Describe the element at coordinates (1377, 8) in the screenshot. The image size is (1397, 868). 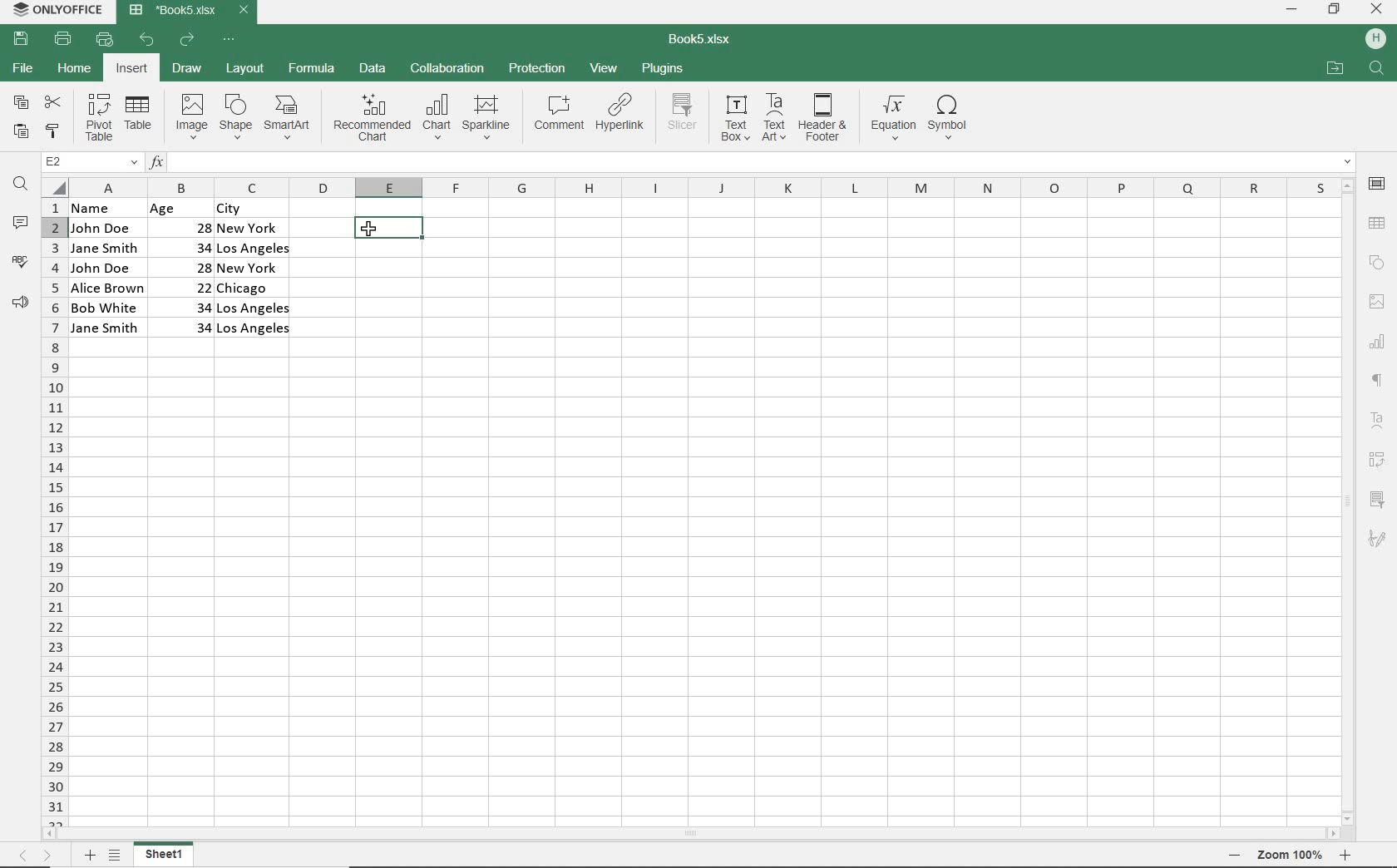
I see `CLOSE` at that location.